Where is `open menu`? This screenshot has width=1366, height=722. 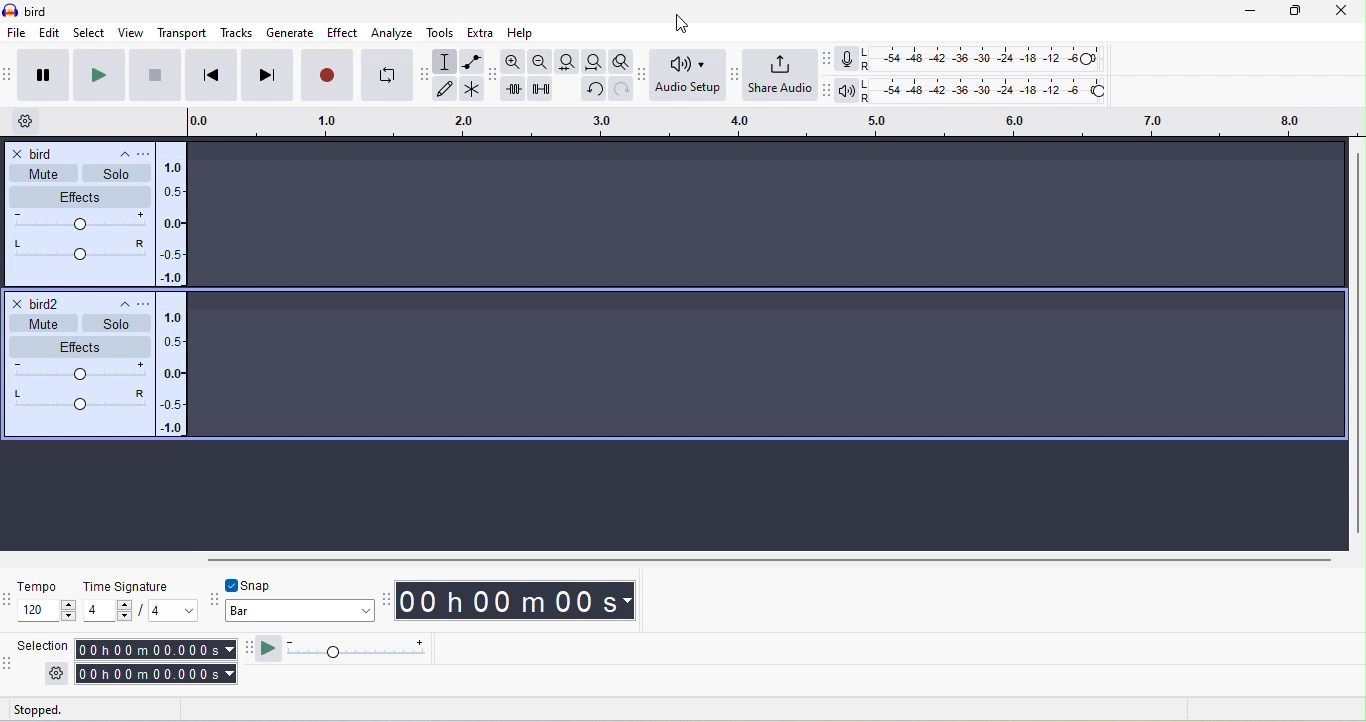 open menu is located at coordinates (143, 152).